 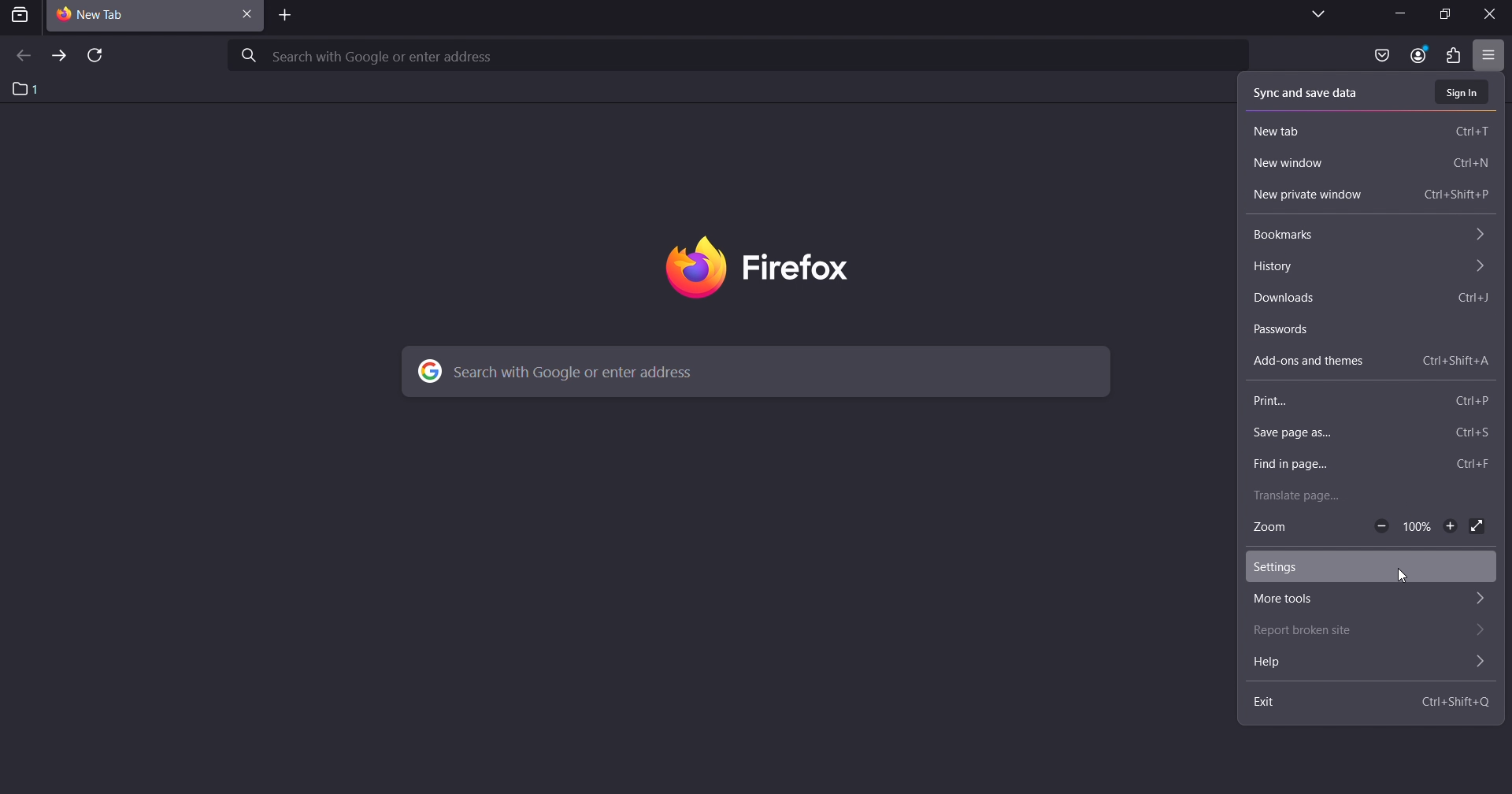 I want to click on zoom, so click(x=1276, y=529).